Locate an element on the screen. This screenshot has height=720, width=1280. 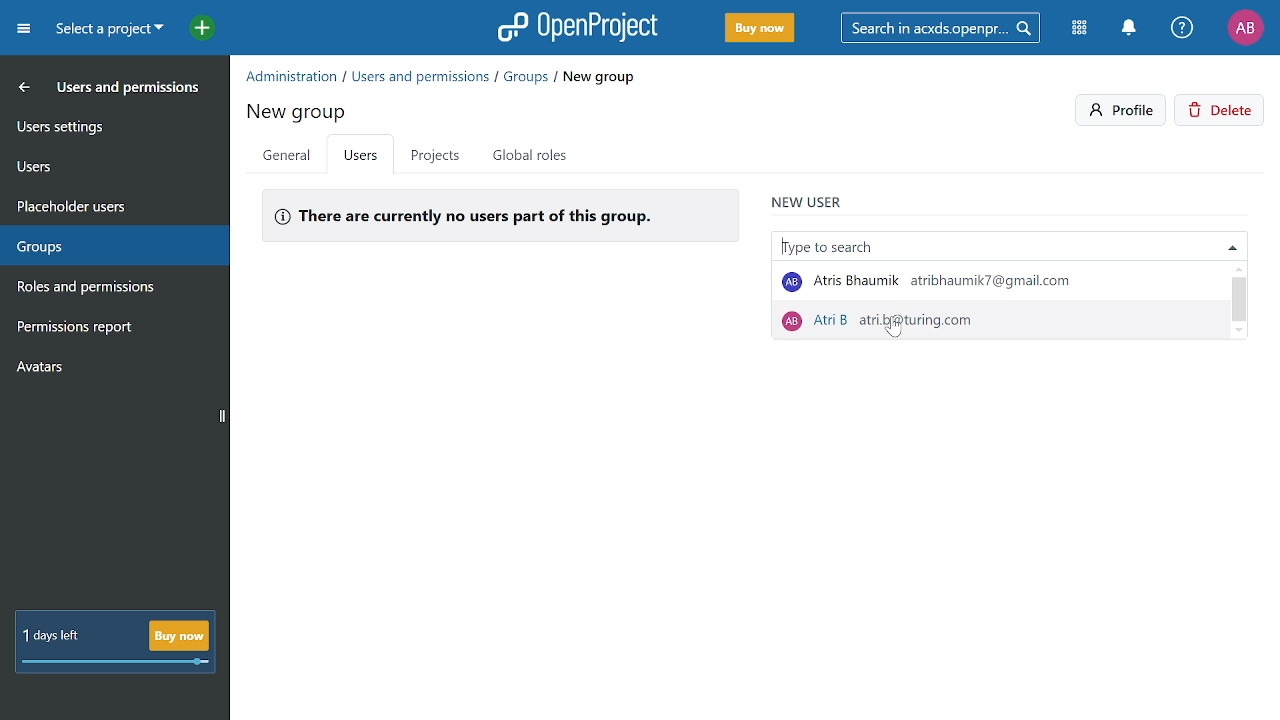
Placeholders users is located at coordinates (112, 204).